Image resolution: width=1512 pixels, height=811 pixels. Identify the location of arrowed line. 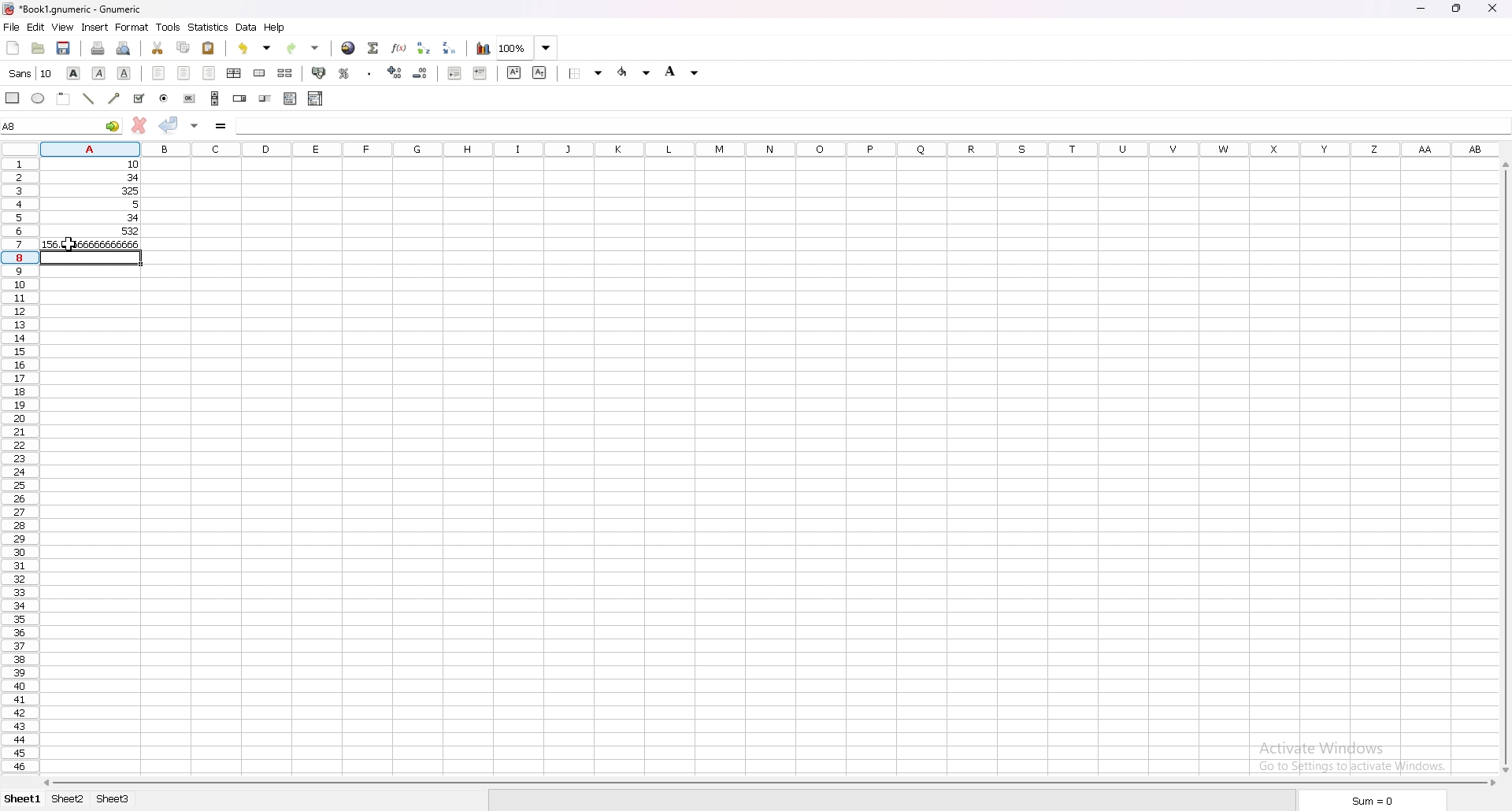
(114, 98).